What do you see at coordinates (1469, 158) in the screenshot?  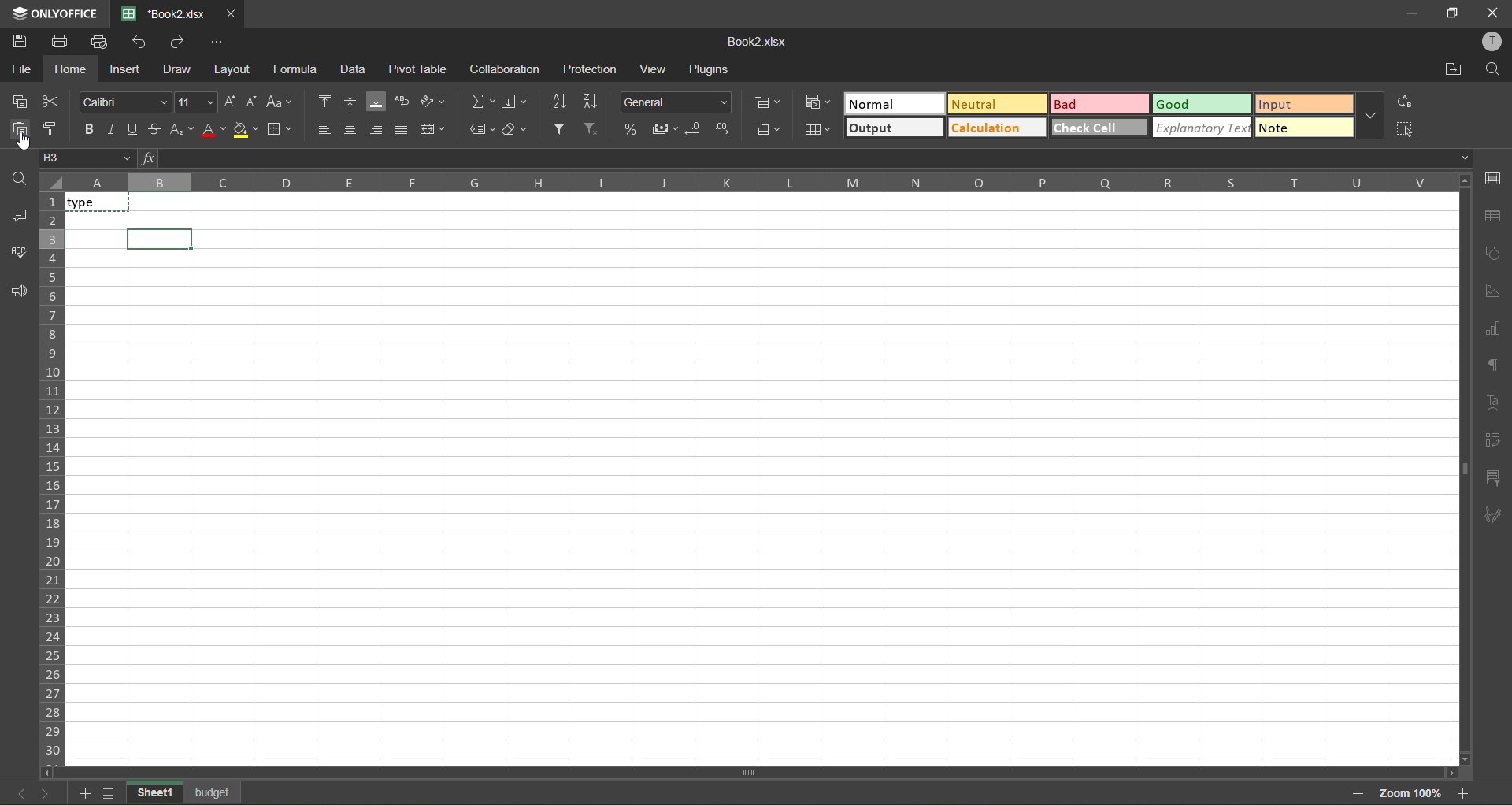 I see `Dropdown` at bounding box center [1469, 158].